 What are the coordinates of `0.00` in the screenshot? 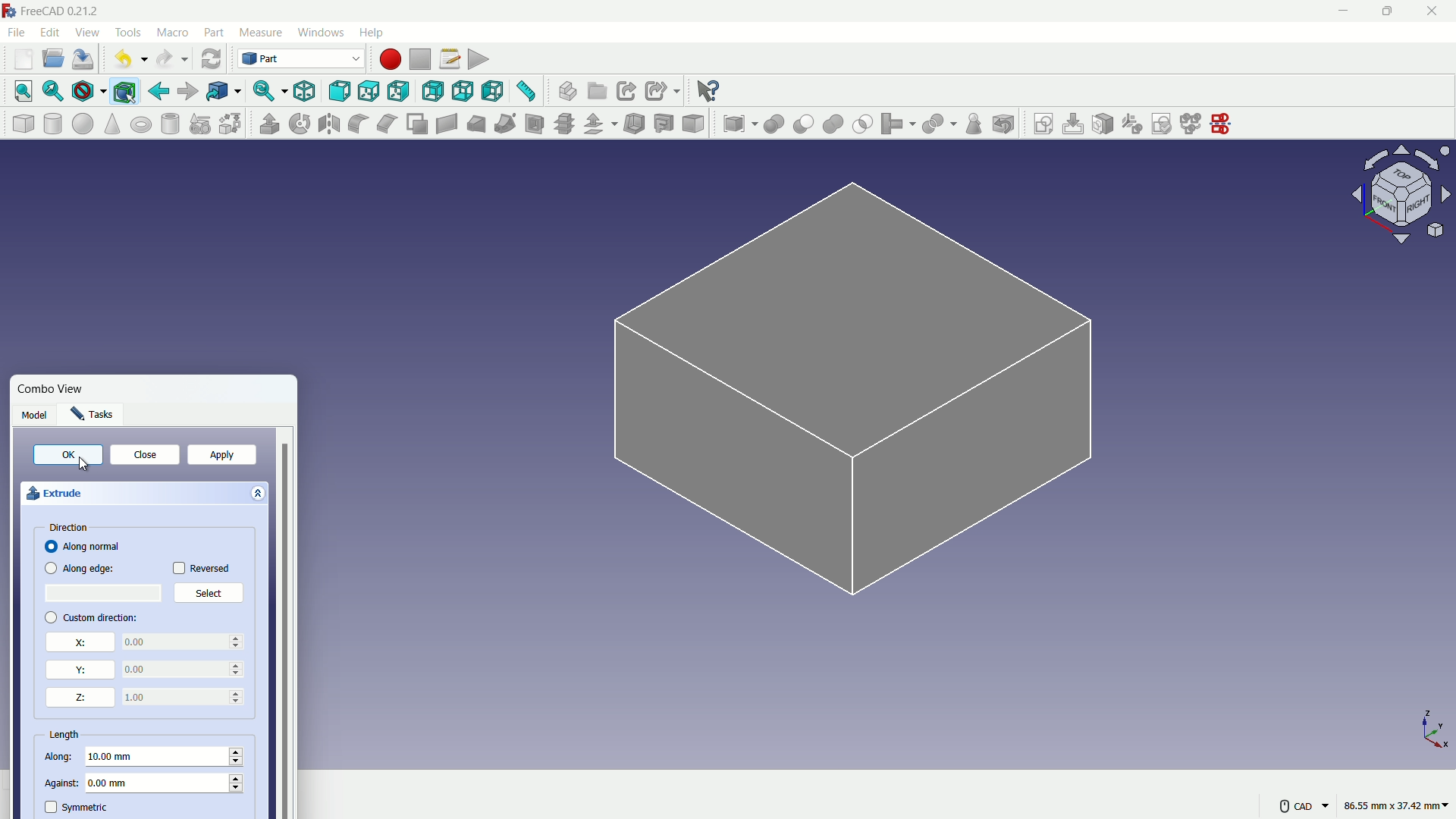 It's located at (184, 642).